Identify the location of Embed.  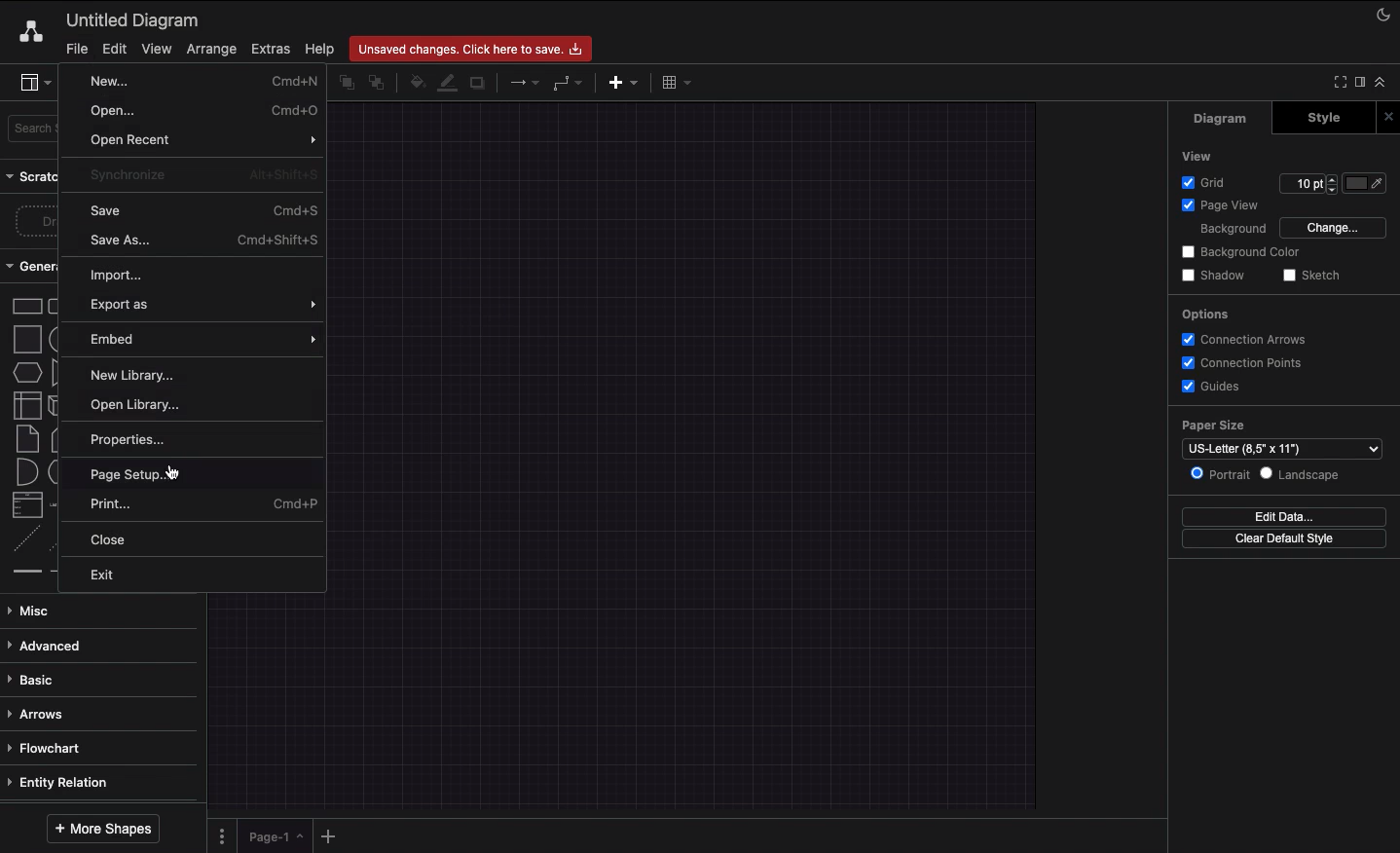
(203, 338).